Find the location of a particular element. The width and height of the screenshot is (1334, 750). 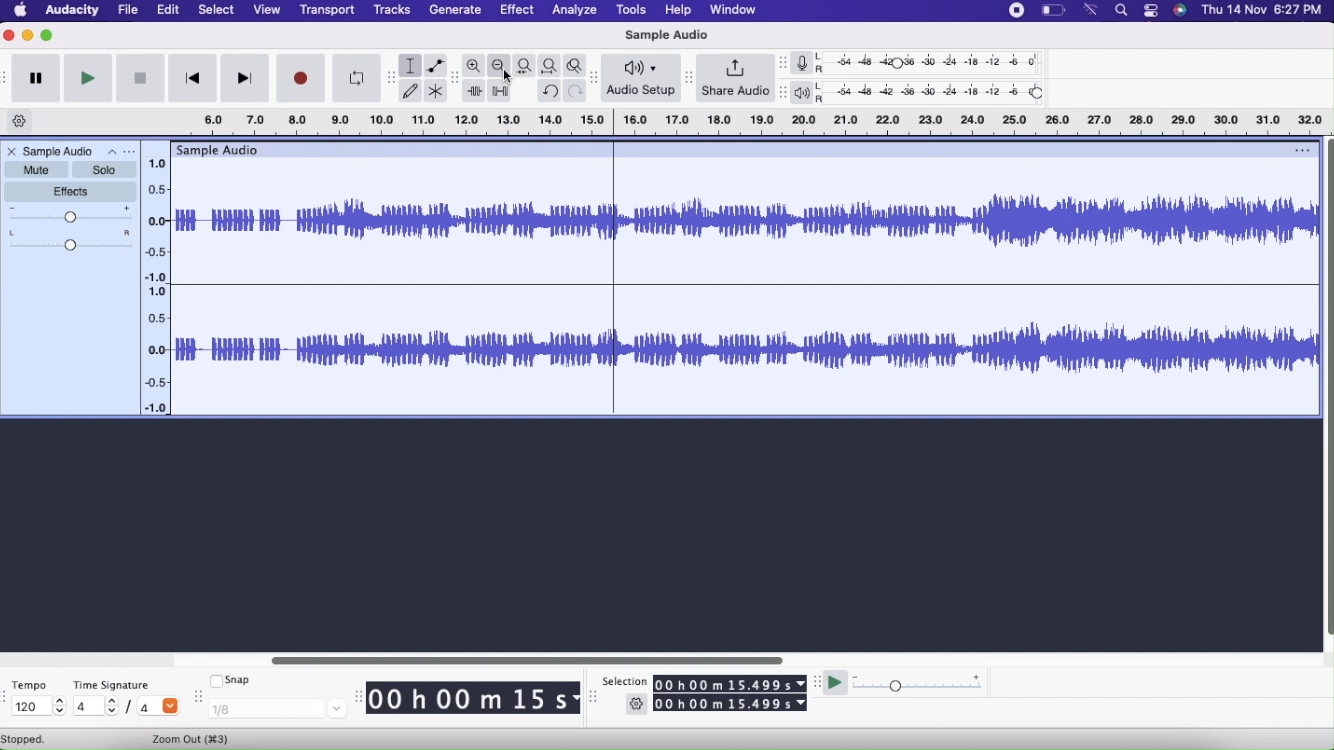

options is located at coordinates (1153, 14).